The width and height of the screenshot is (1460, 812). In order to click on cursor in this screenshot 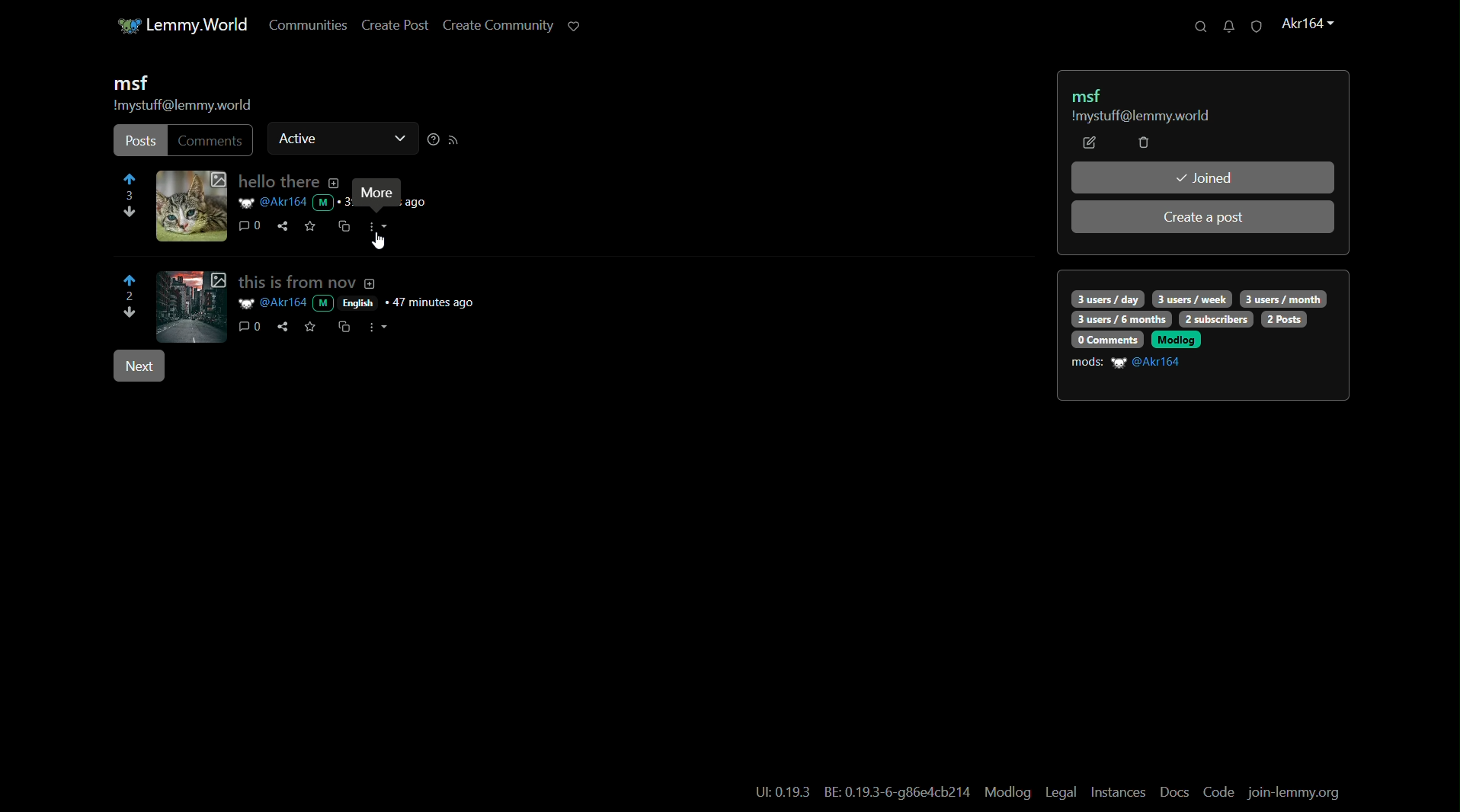, I will do `click(378, 245)`.